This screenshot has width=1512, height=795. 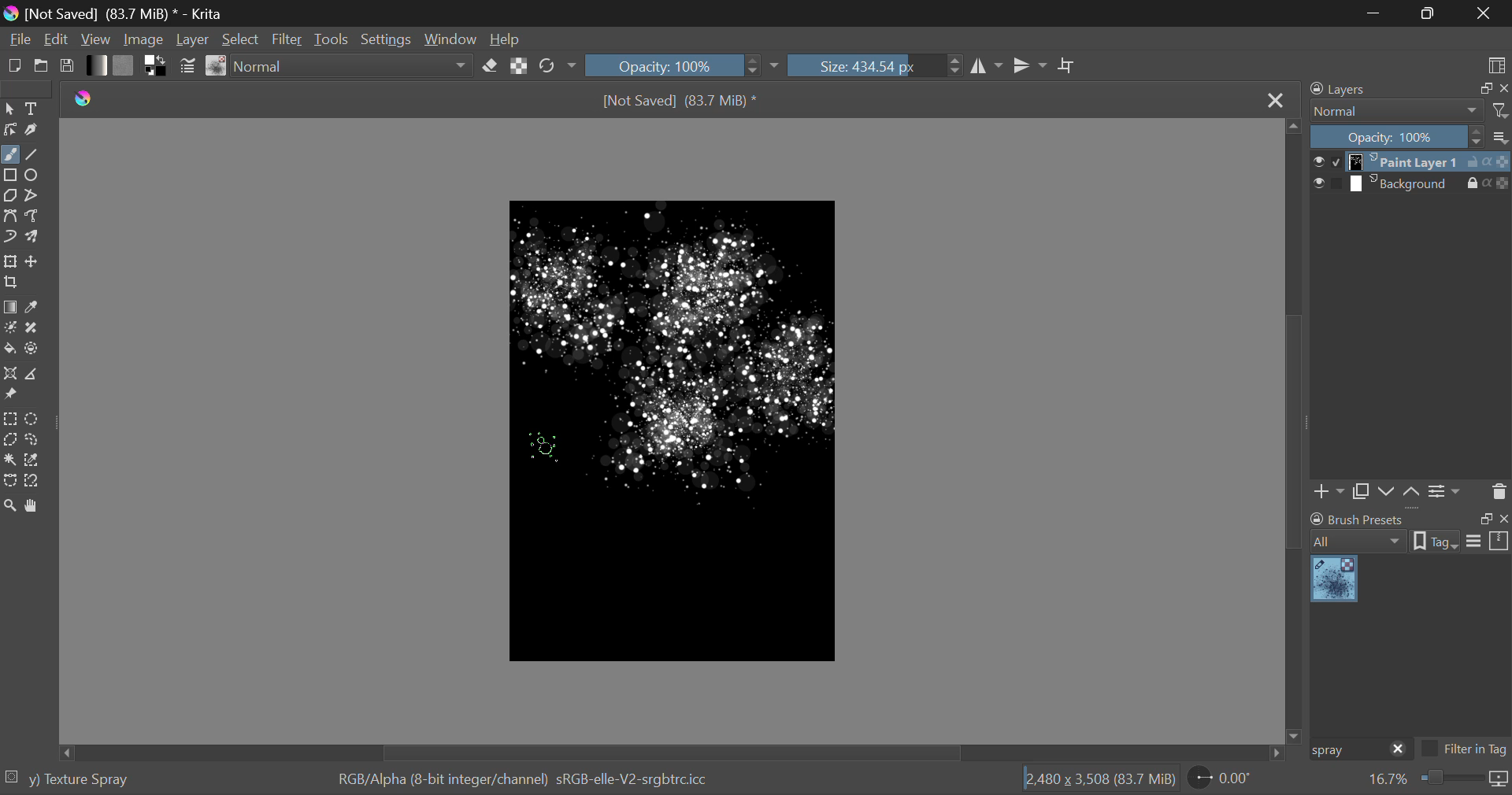 I want to click on normal, so click(x=1397, y=111).